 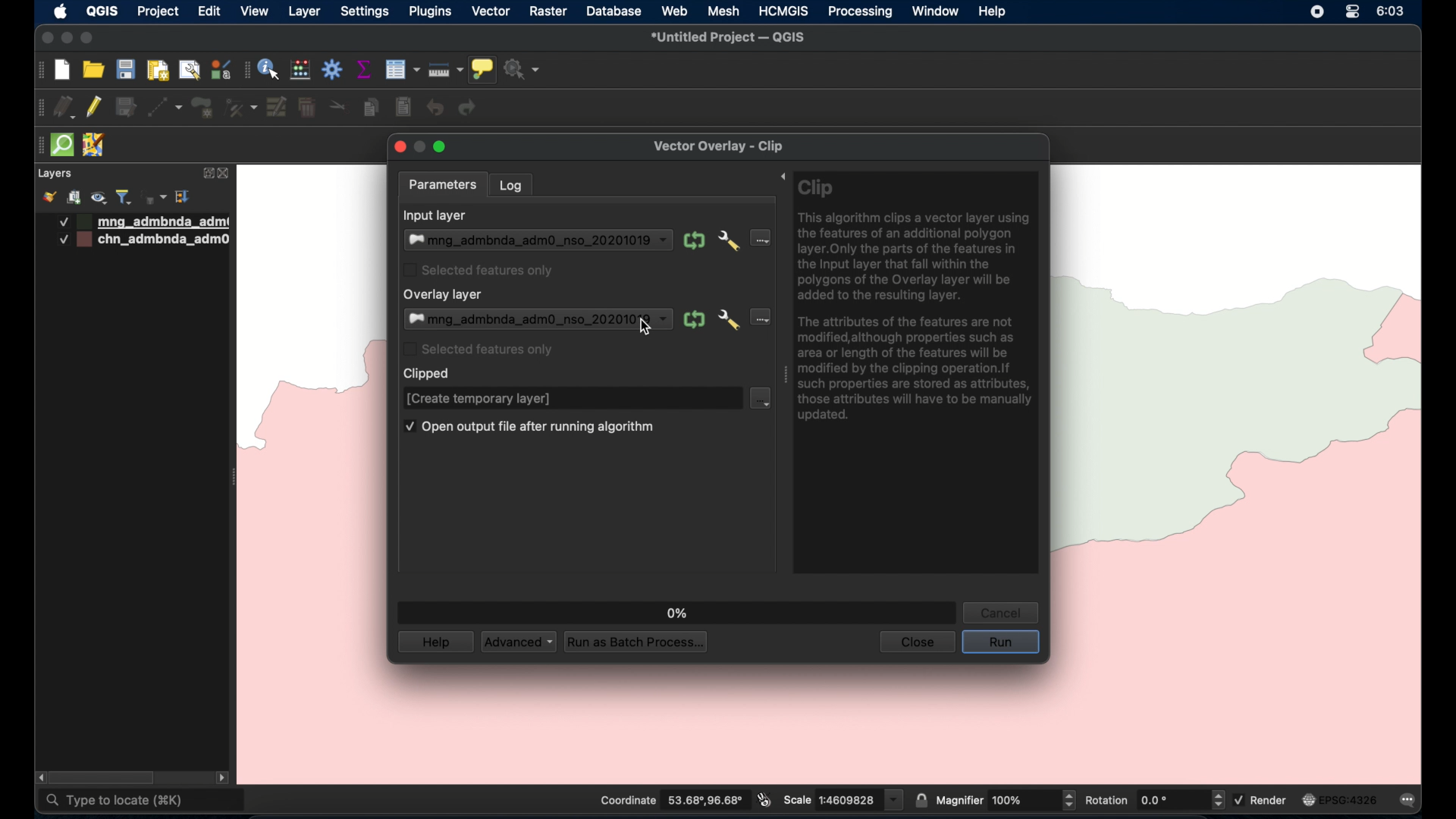 I want to click on vector overlay - clip, so click(x=717, y=146).